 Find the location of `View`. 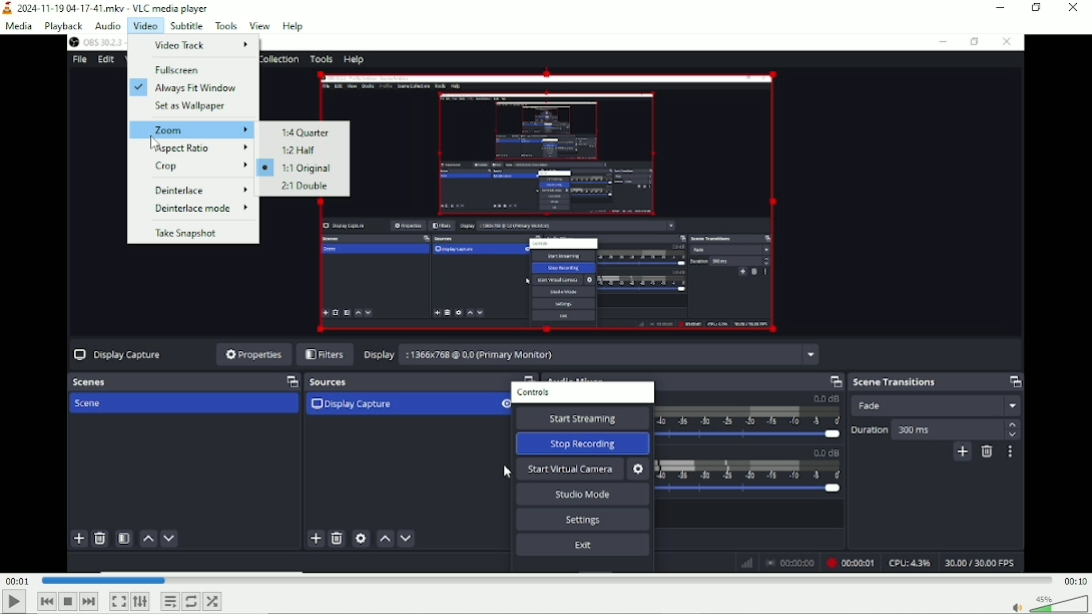

View is located at coordinates (260, 24).